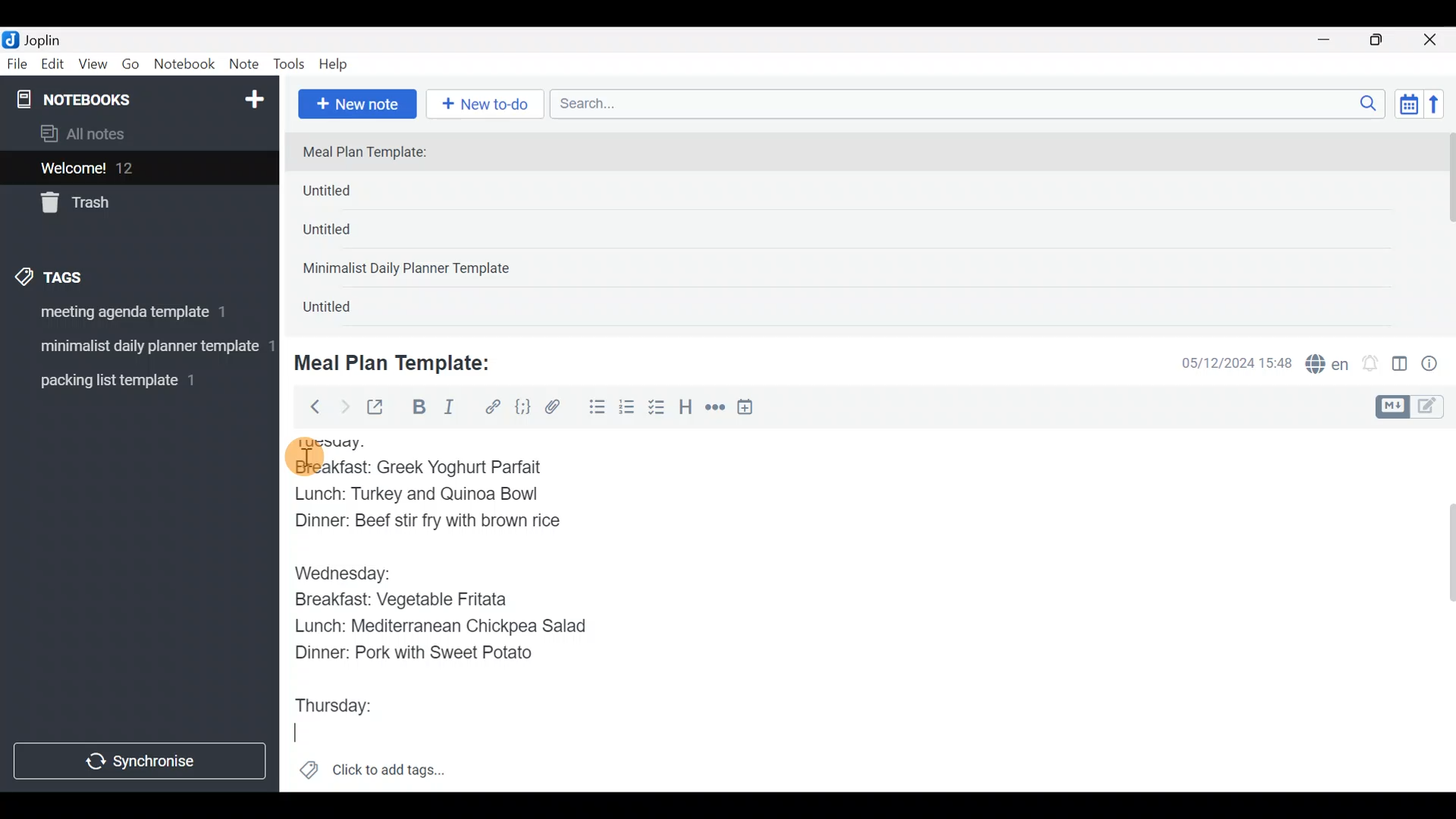  I want to click on Breakfast: Vegetable Fritata, so click(419, 600).